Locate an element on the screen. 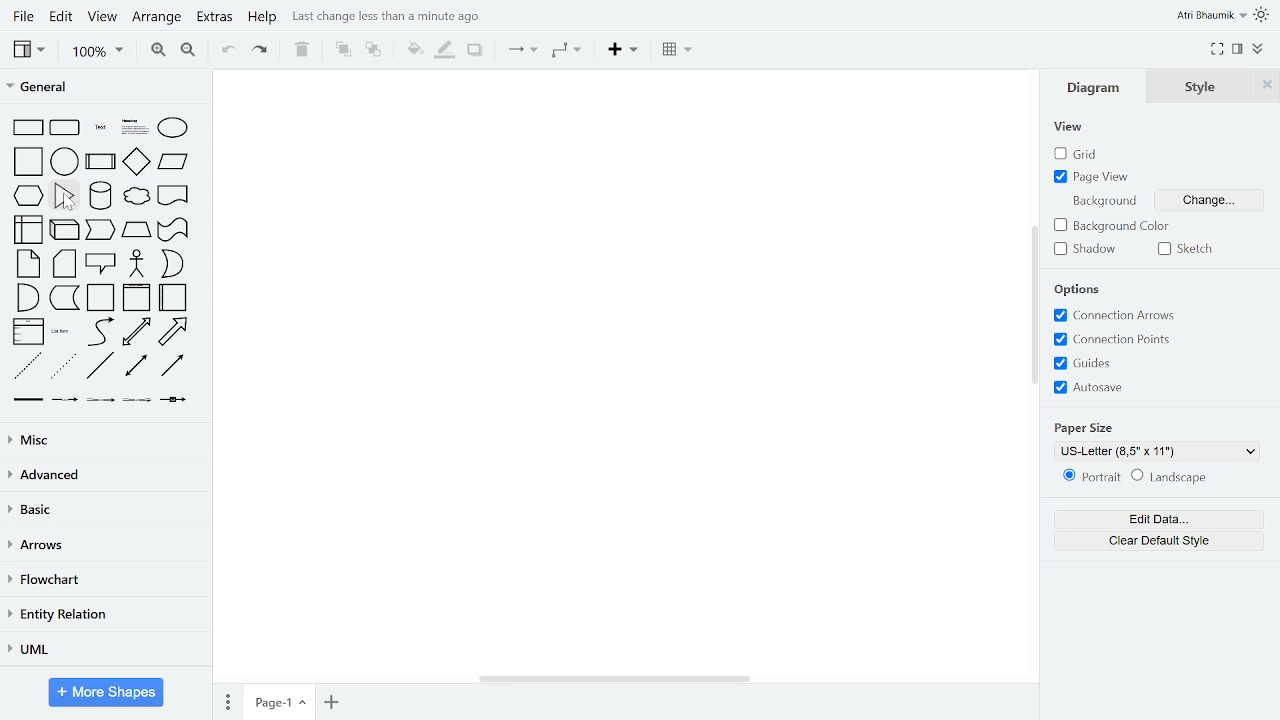 The width and height of the screenshot is (1280, 720). curve is located at coordinates (98, 332).